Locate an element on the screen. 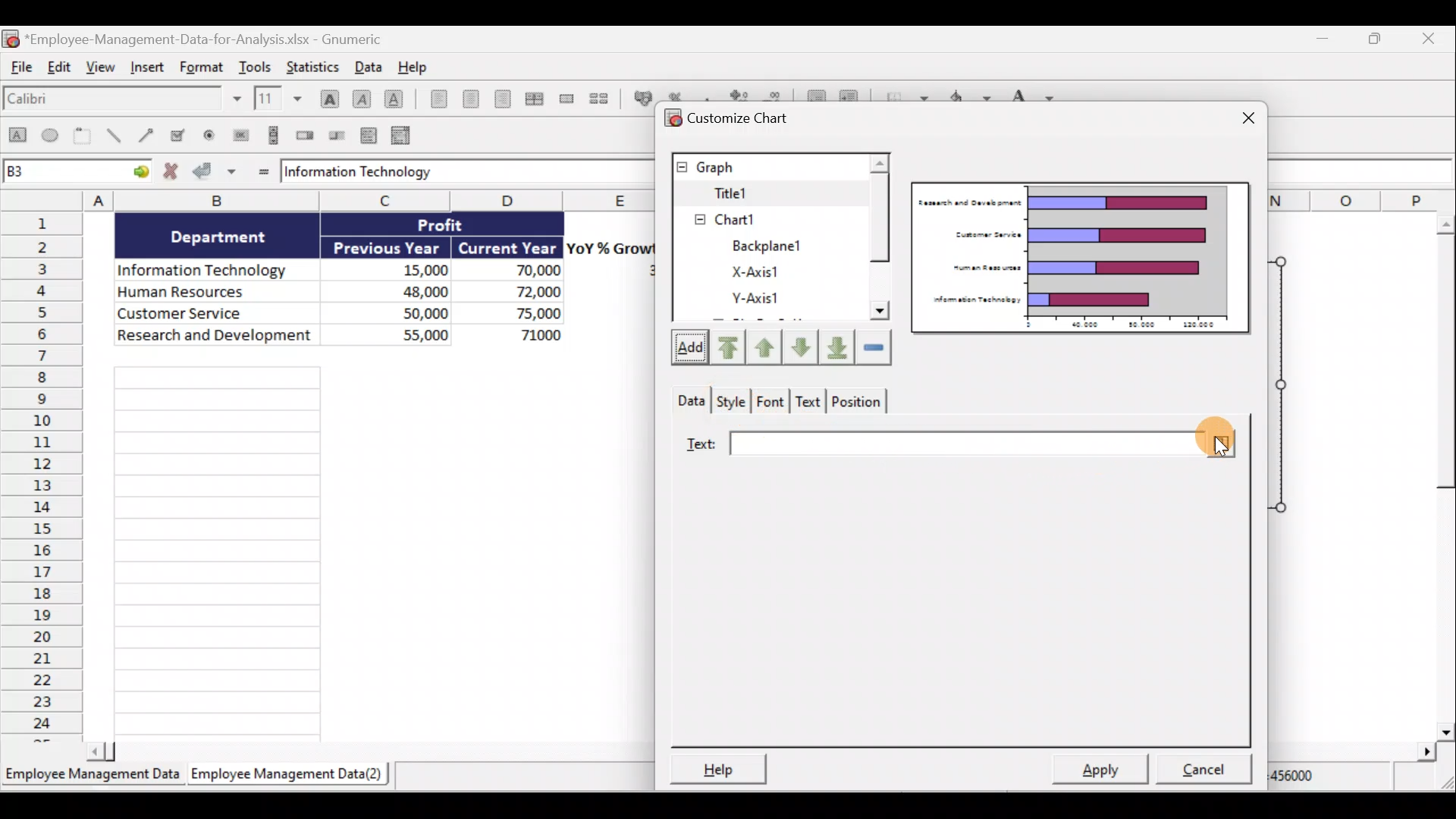  Add is located at coordinates (686, 348).